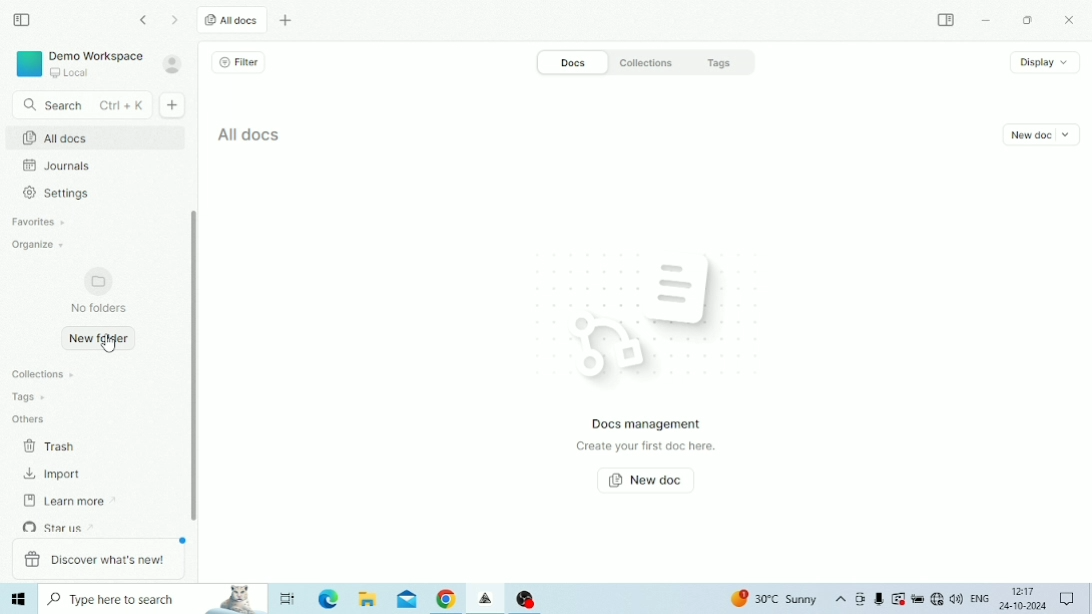 This screenshot has height=614, width=1092. I want to click on Settings, so click(61, 193).